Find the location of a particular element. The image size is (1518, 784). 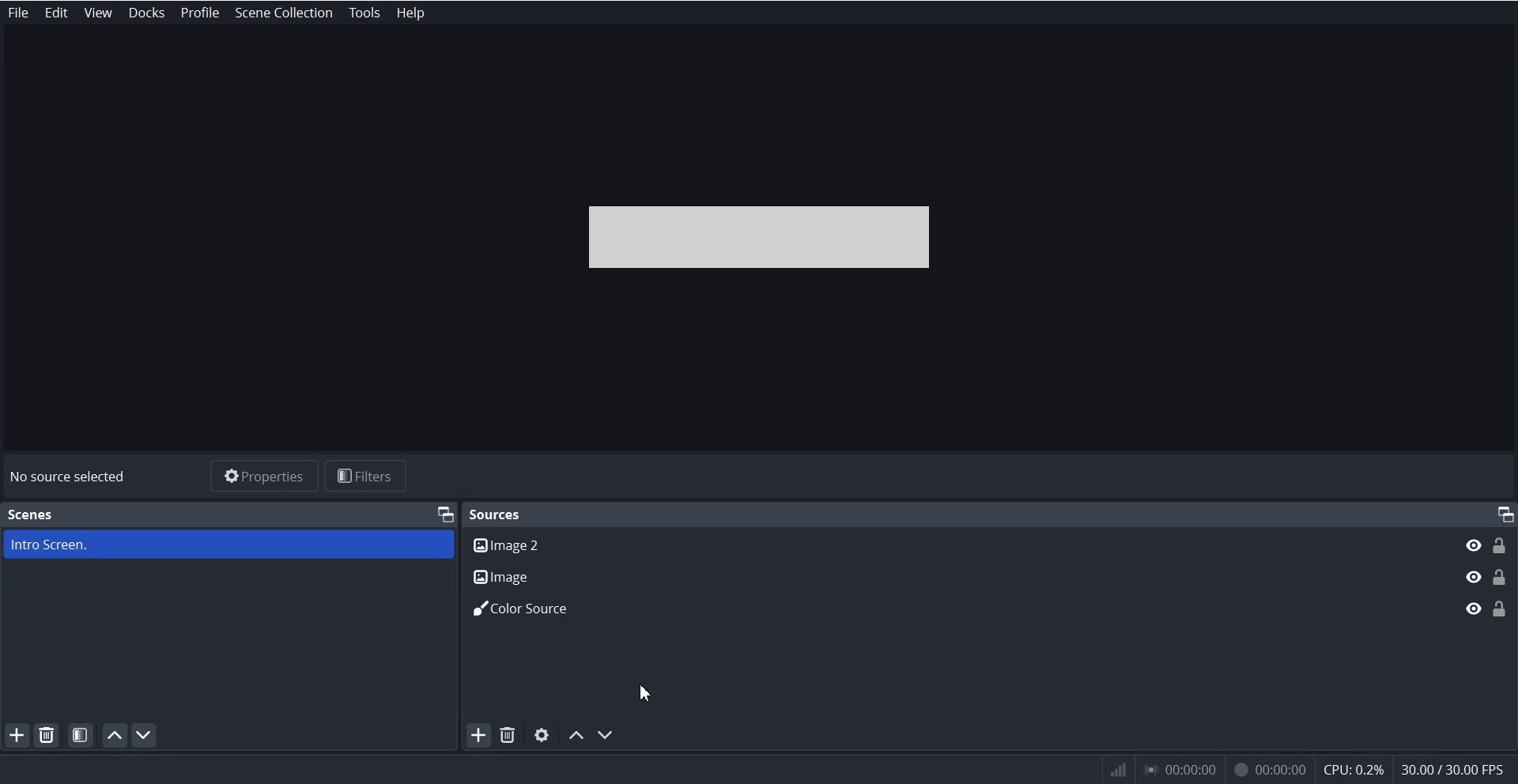

30.007 30.00 EPs is located at coordinates (1458, 768).